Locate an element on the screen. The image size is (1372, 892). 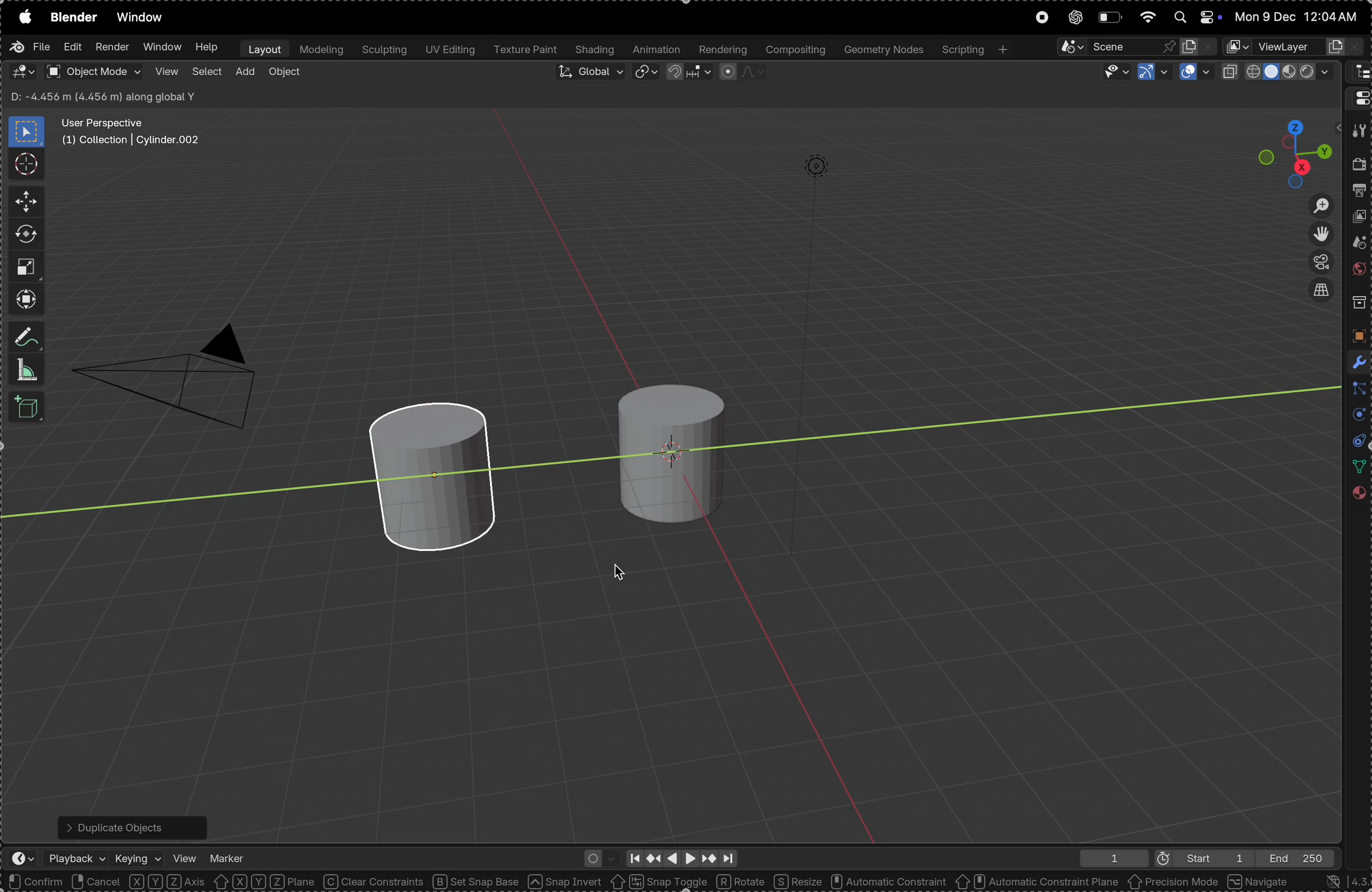
Pan view is located at coordinates (138, 882).